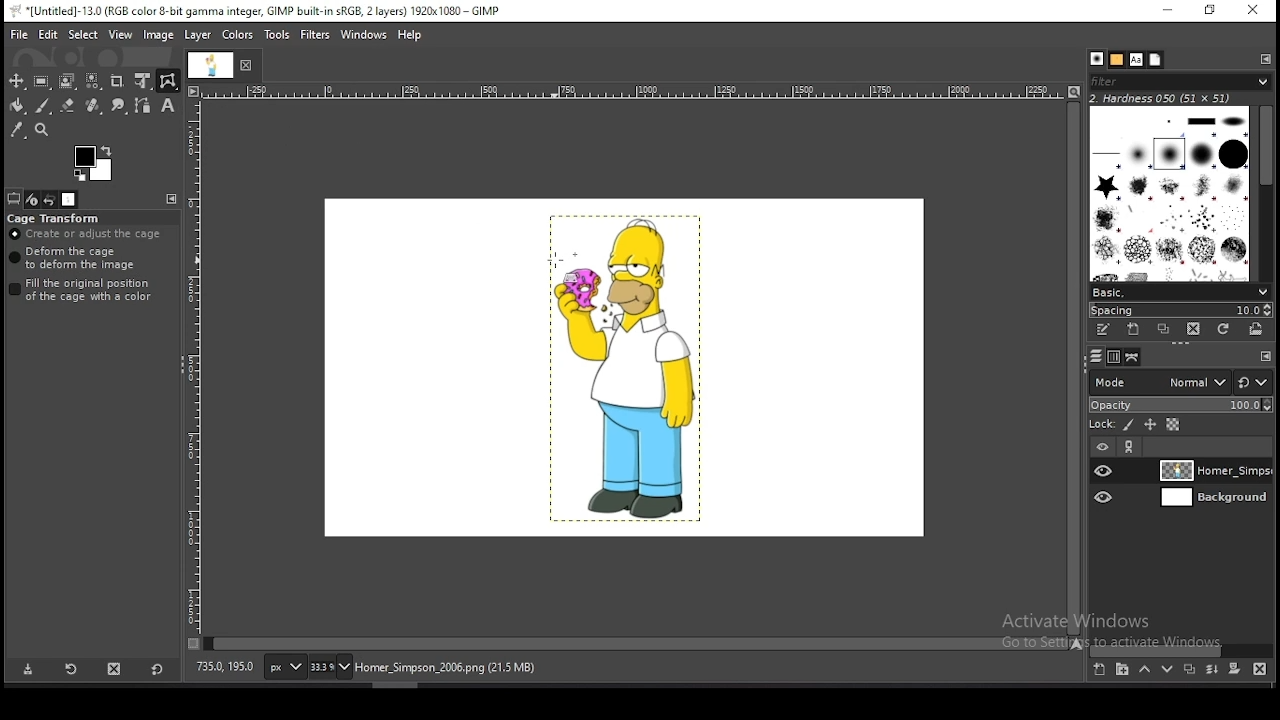 The image size is (1280, 720). I want to click on refresh brushes, so click(1224, 329).